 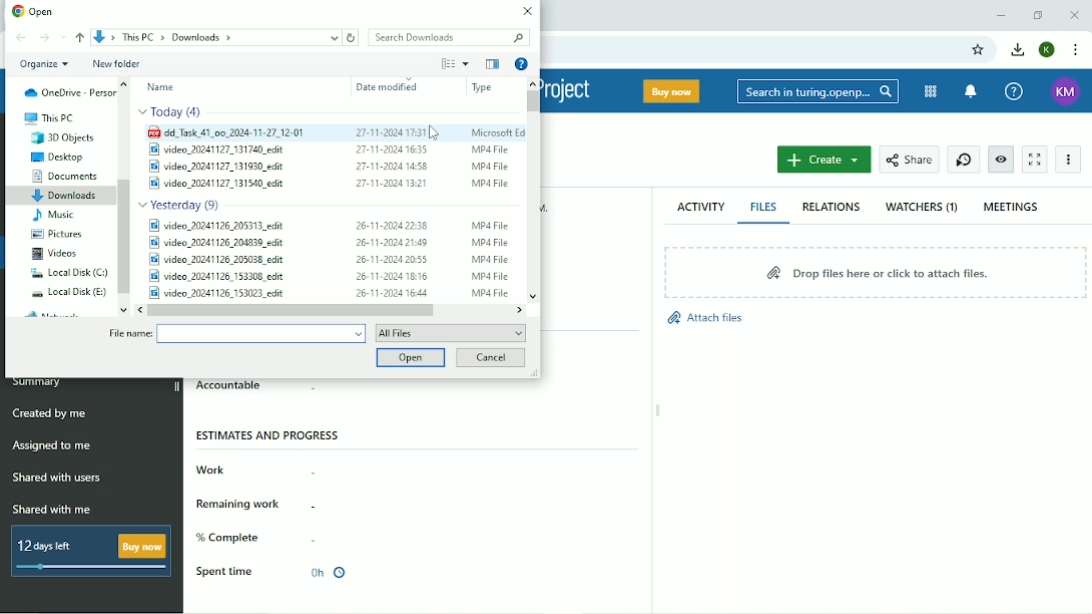 What do you see at coordinates (54, 254) in the screenshot?
I see `Videos` at bounding box center [54, 254].